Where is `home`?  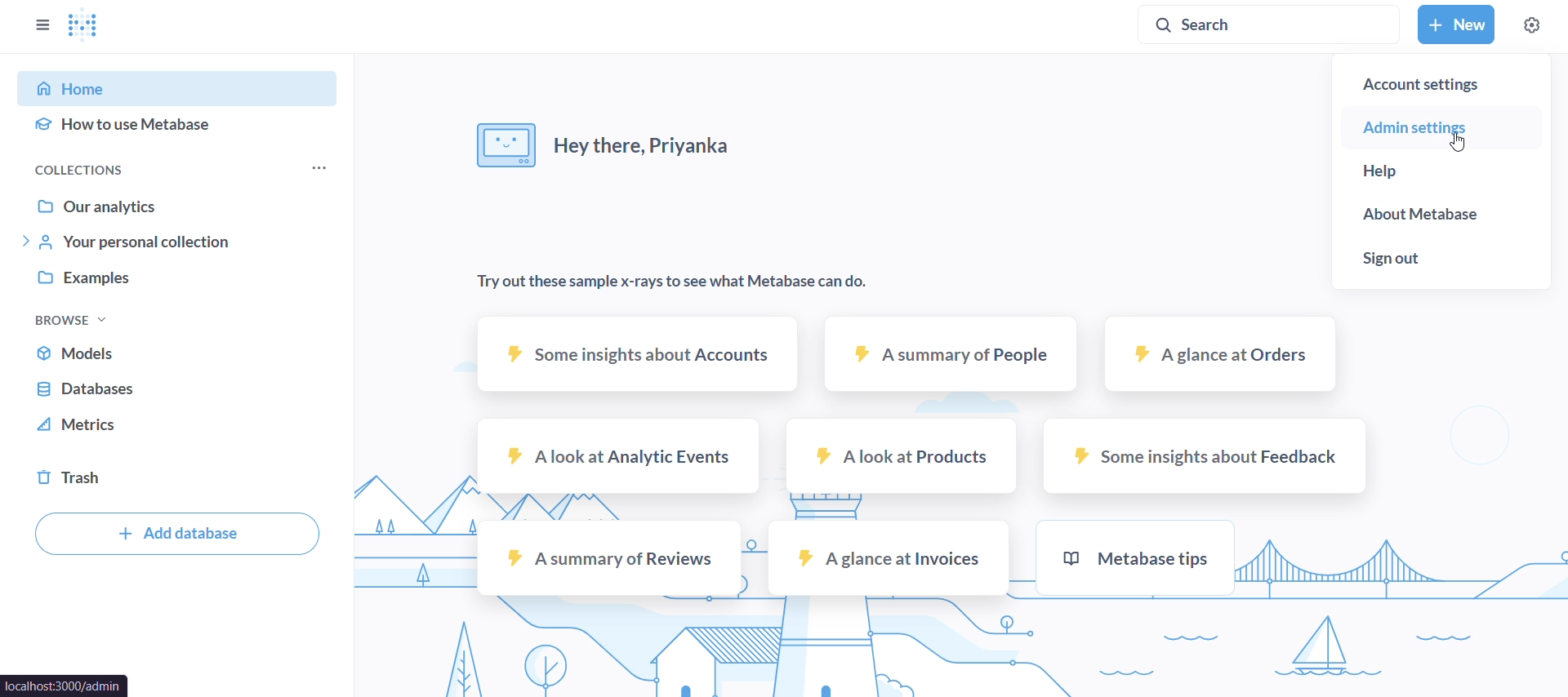
home is located at coordinates (183, 87).